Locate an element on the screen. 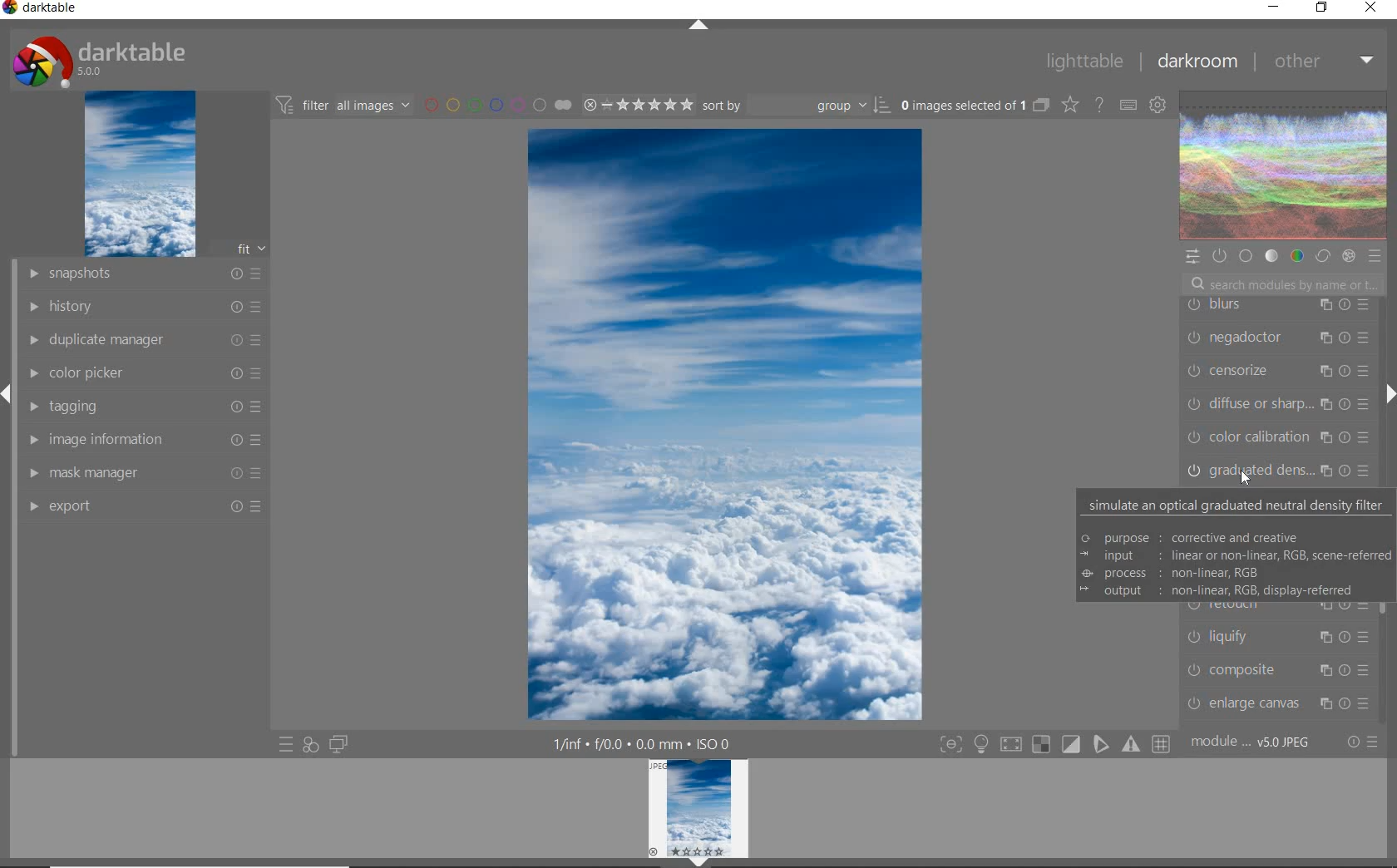 This screenshot has width=1397, height=868. DEFINE KEYBOARD SHORTCUT is located at coordinates (1128, 106).